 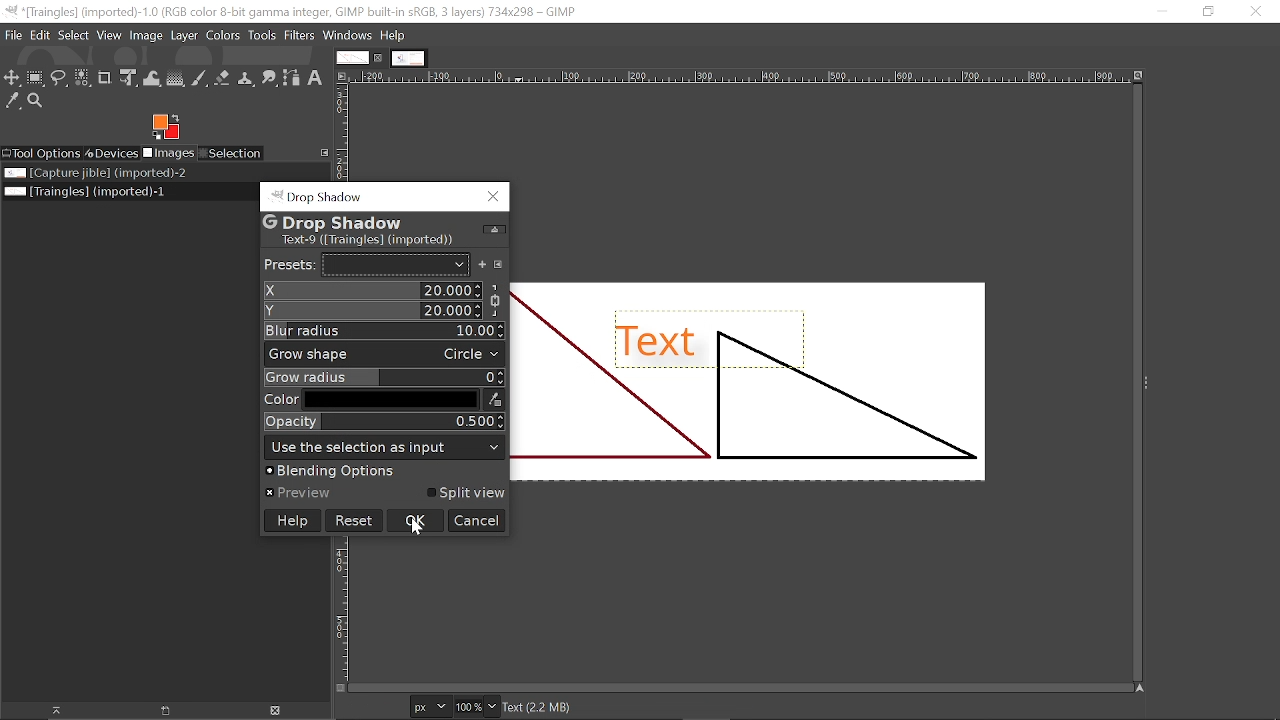 I want to click on Gradient tool, so click(x=176, y=79).